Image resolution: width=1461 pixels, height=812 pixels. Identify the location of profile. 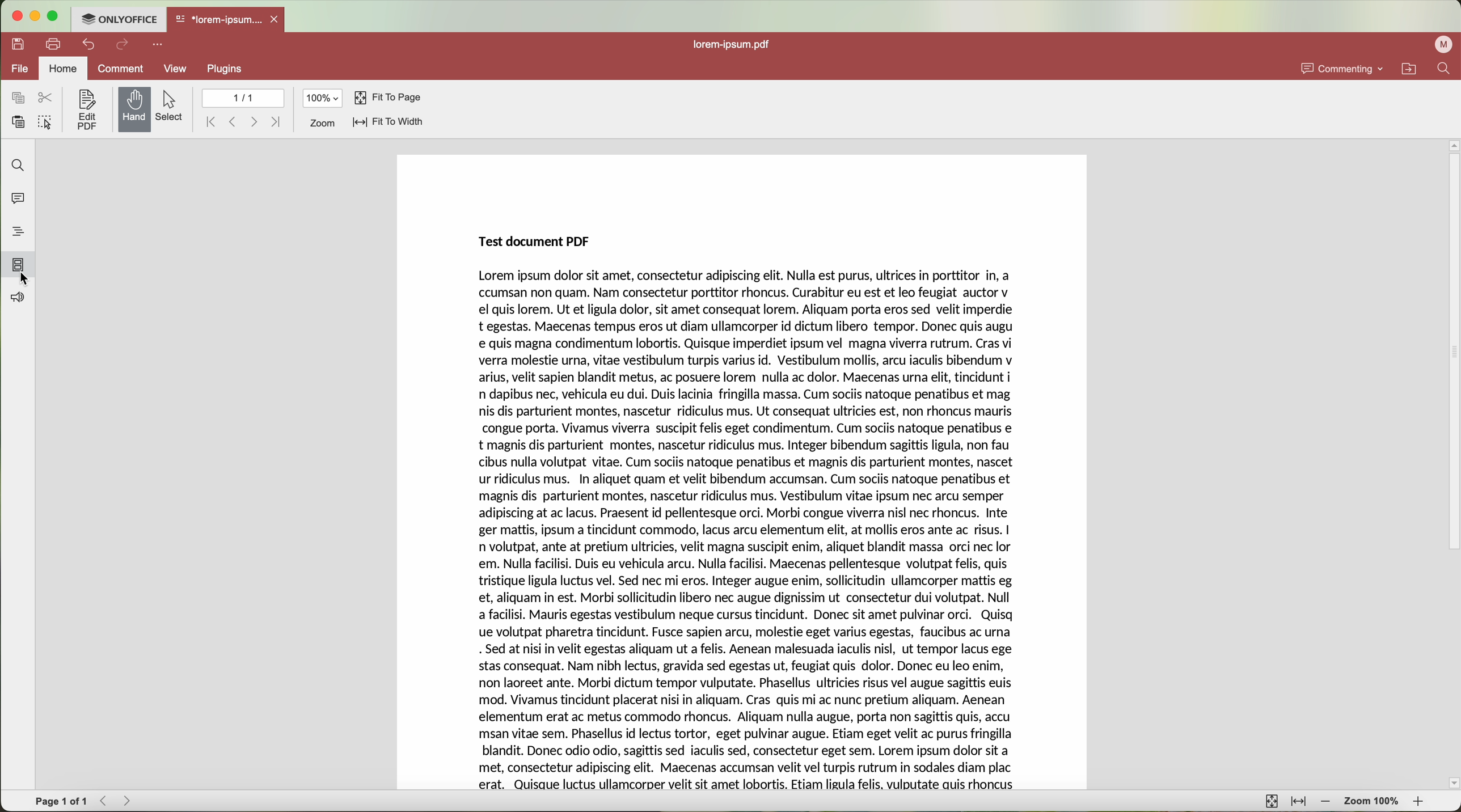
(1443, 45).